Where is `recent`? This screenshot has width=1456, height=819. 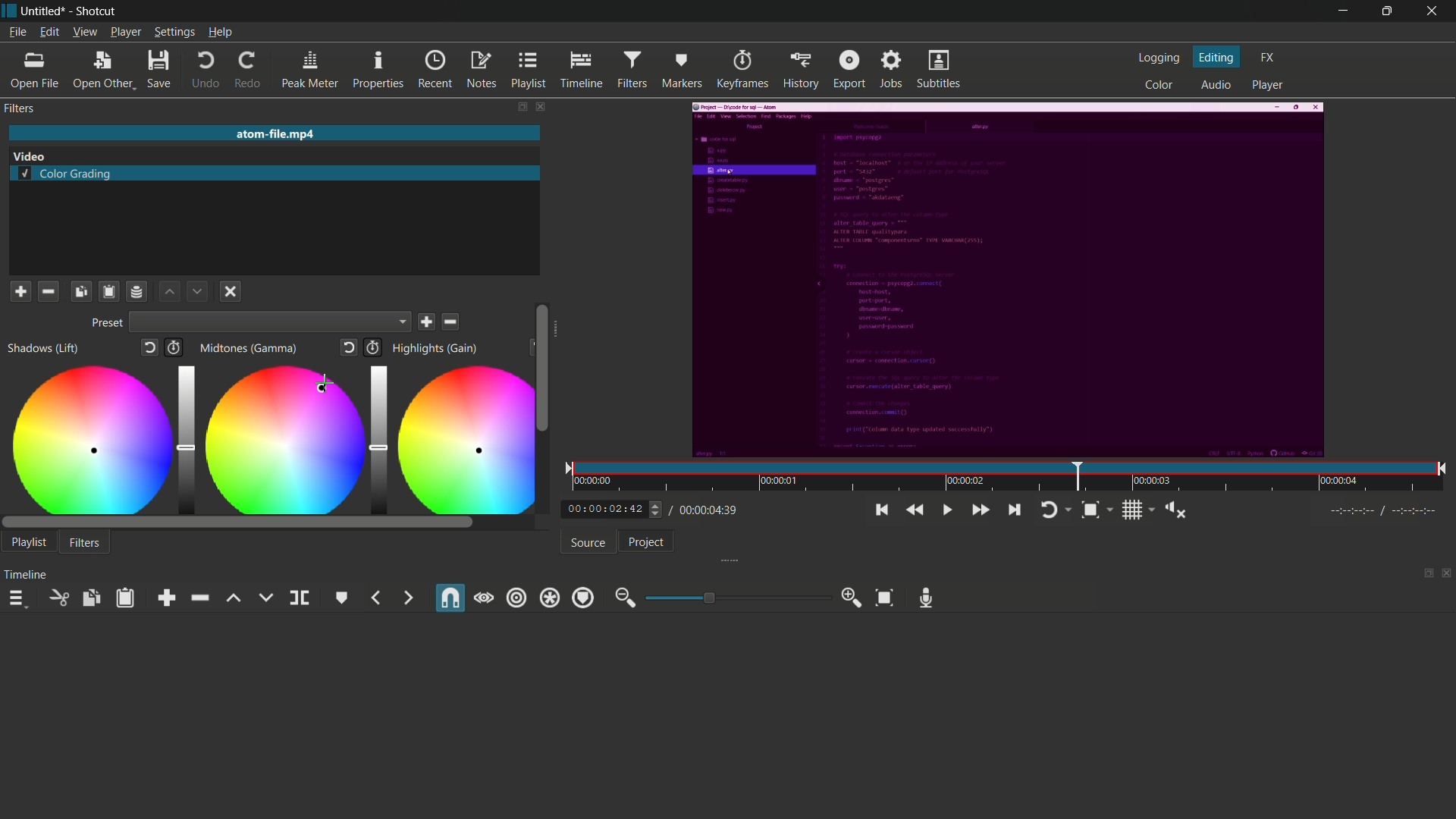 recent is located at coordinates (435, 70).